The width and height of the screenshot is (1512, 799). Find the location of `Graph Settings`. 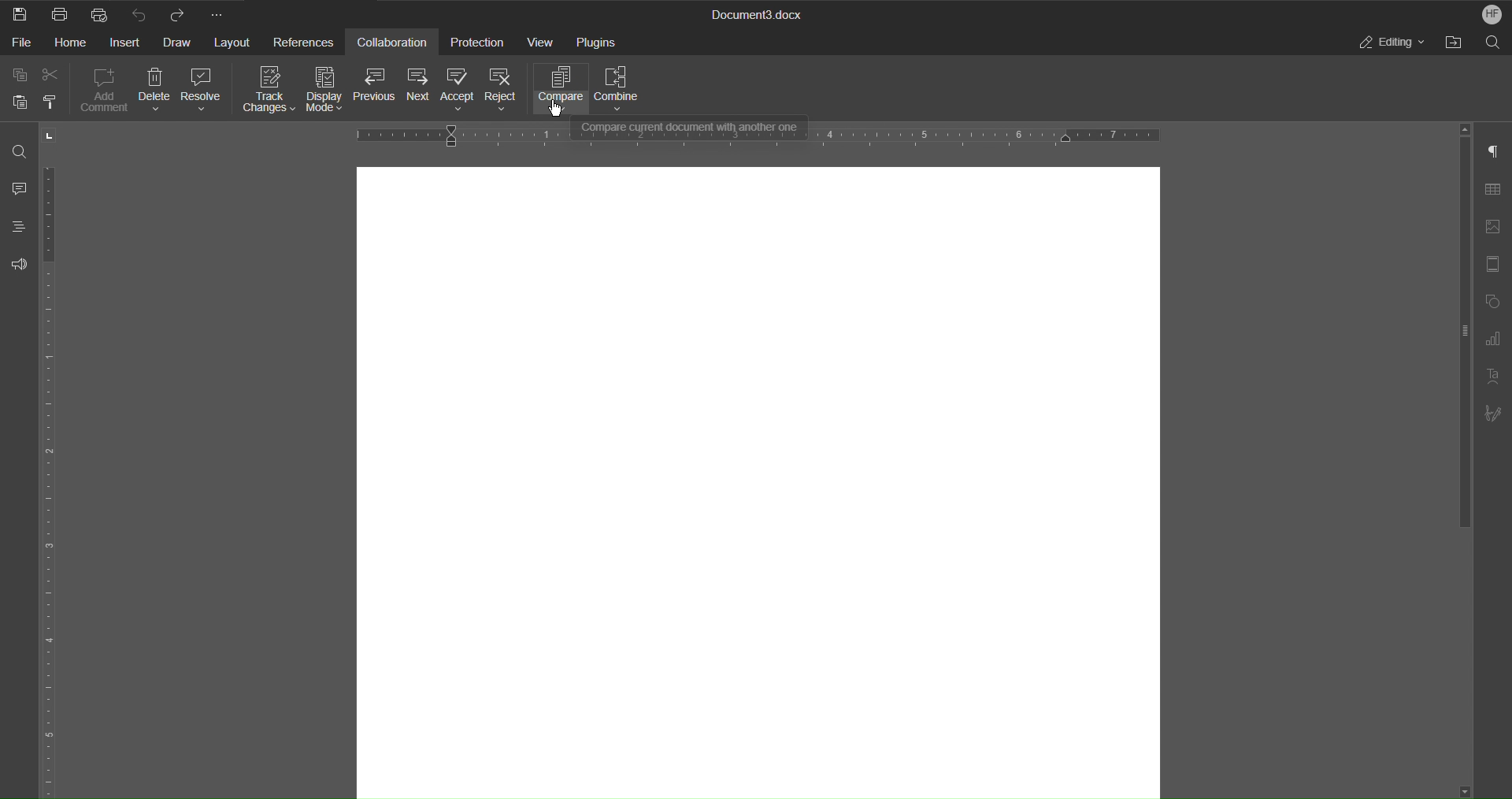

Graph Settings is located at coordinates (1493, 341).